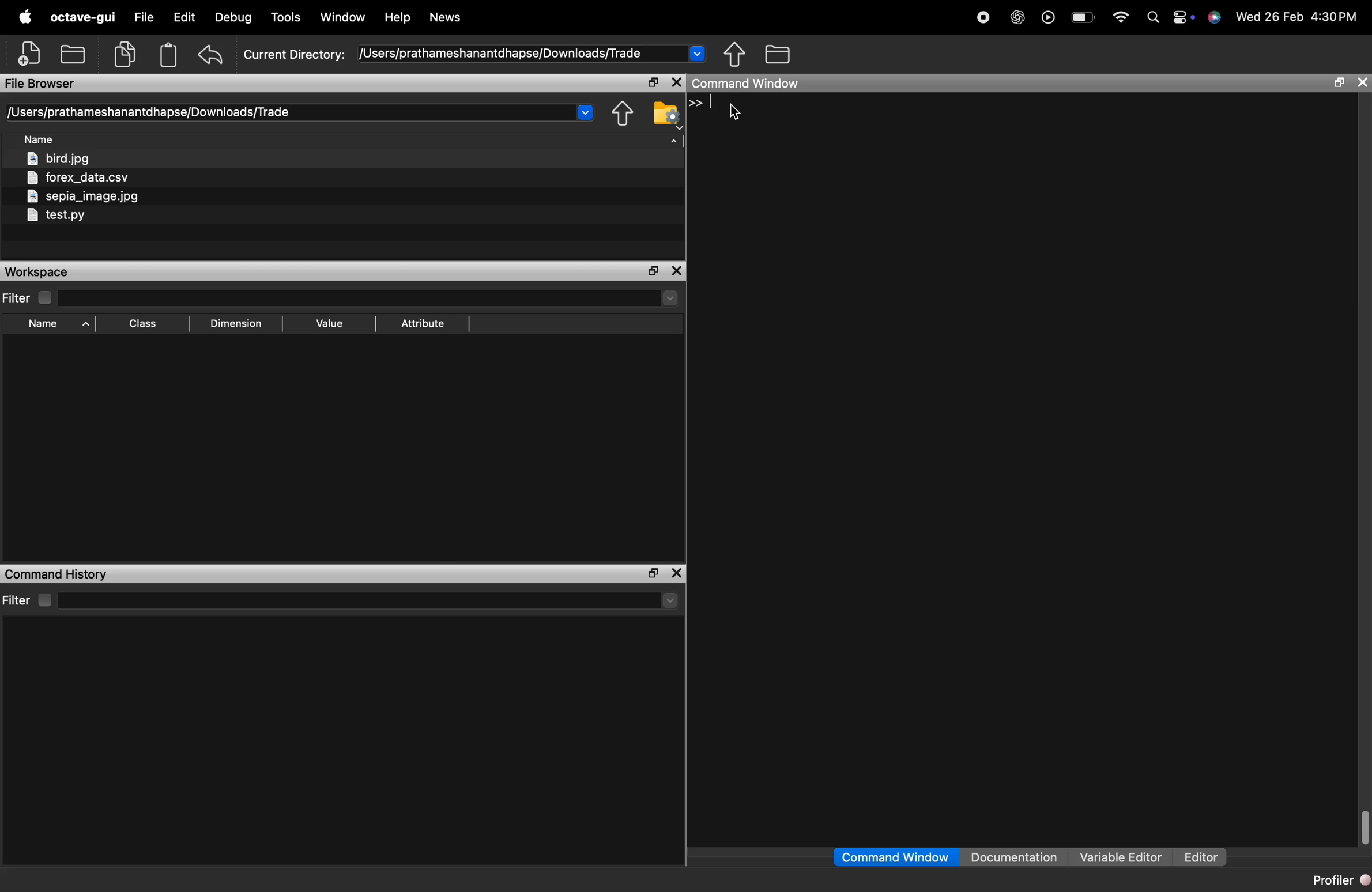 Image resolution: width=1372 pixels, height=892 pixels. I want to click on Wed 26 Feb 4:30PM, so click(1297, 17).